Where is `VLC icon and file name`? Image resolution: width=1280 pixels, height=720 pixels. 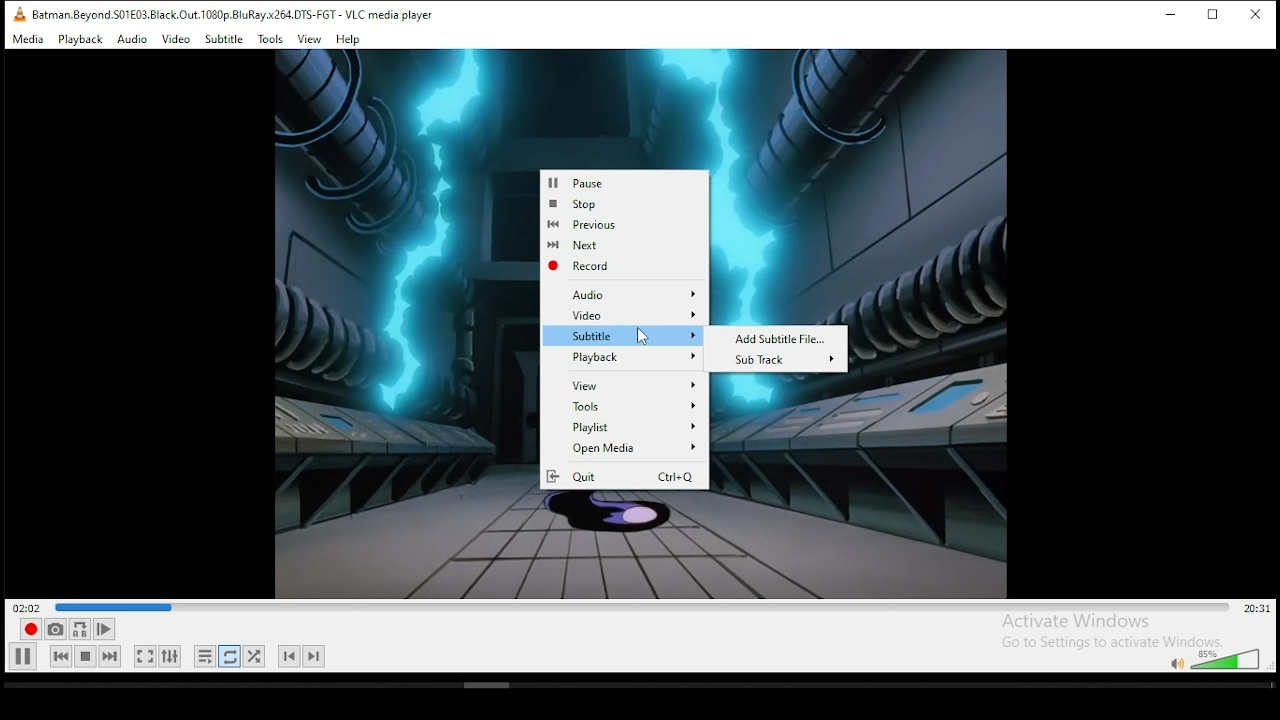
VLC icon and file name is located at coordinates (218, 14).